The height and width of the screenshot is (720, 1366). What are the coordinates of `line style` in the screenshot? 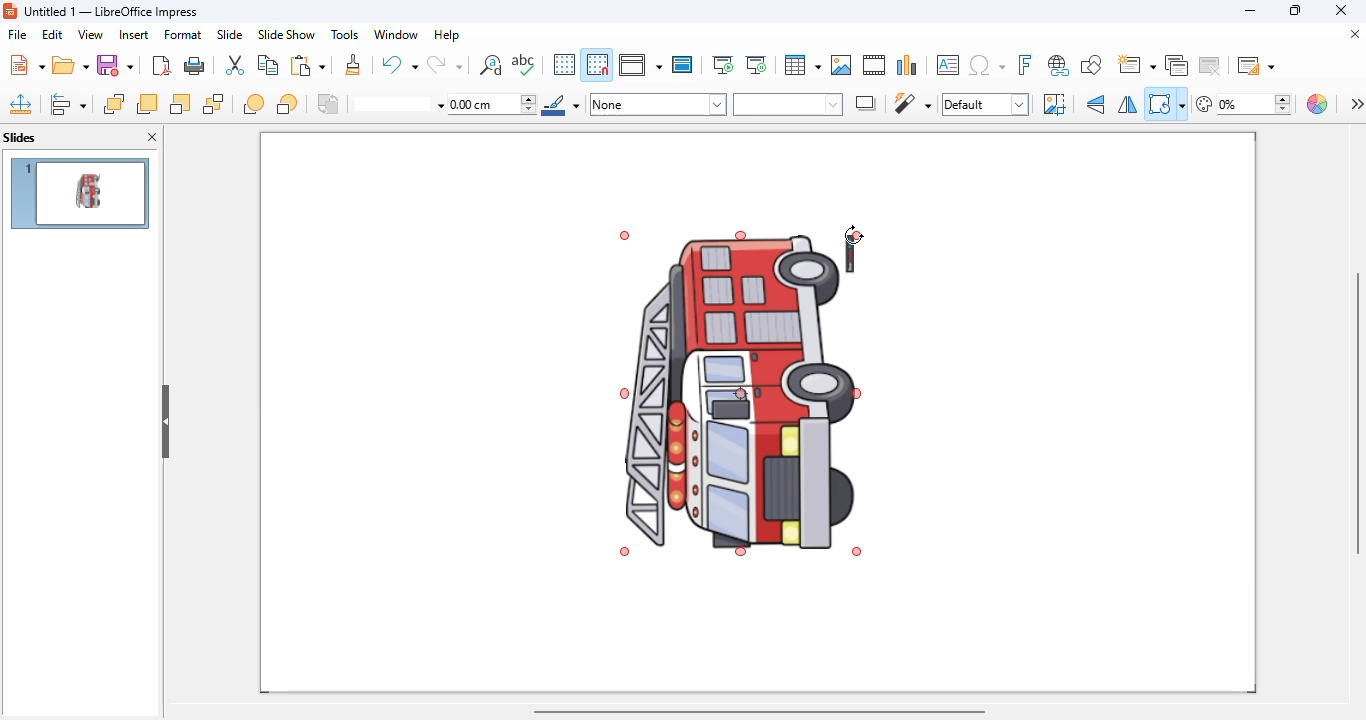 It's located at (400, 104).